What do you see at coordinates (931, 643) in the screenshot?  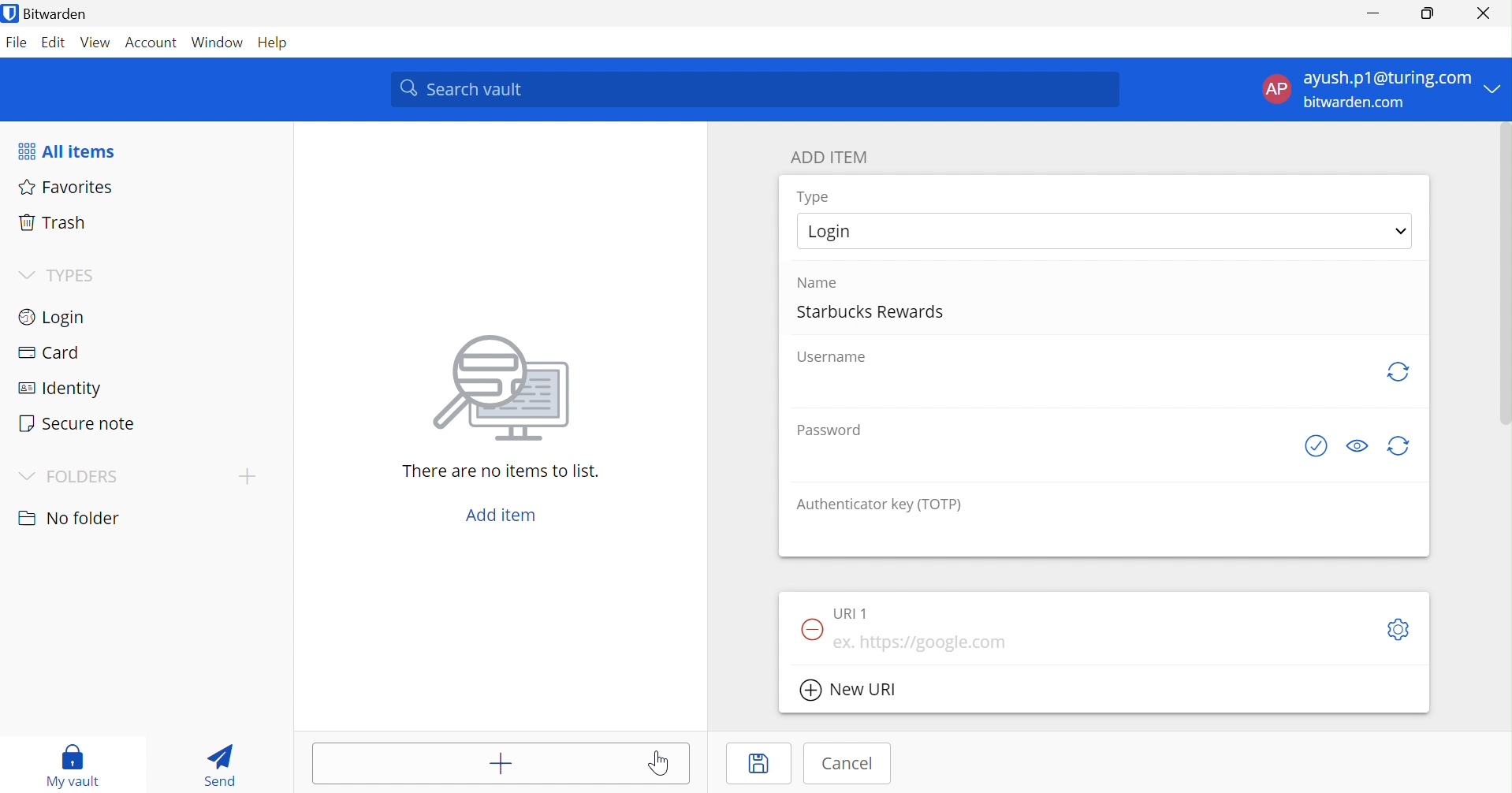 I see `ex. https://google.com` at bounding box center [931, 643].